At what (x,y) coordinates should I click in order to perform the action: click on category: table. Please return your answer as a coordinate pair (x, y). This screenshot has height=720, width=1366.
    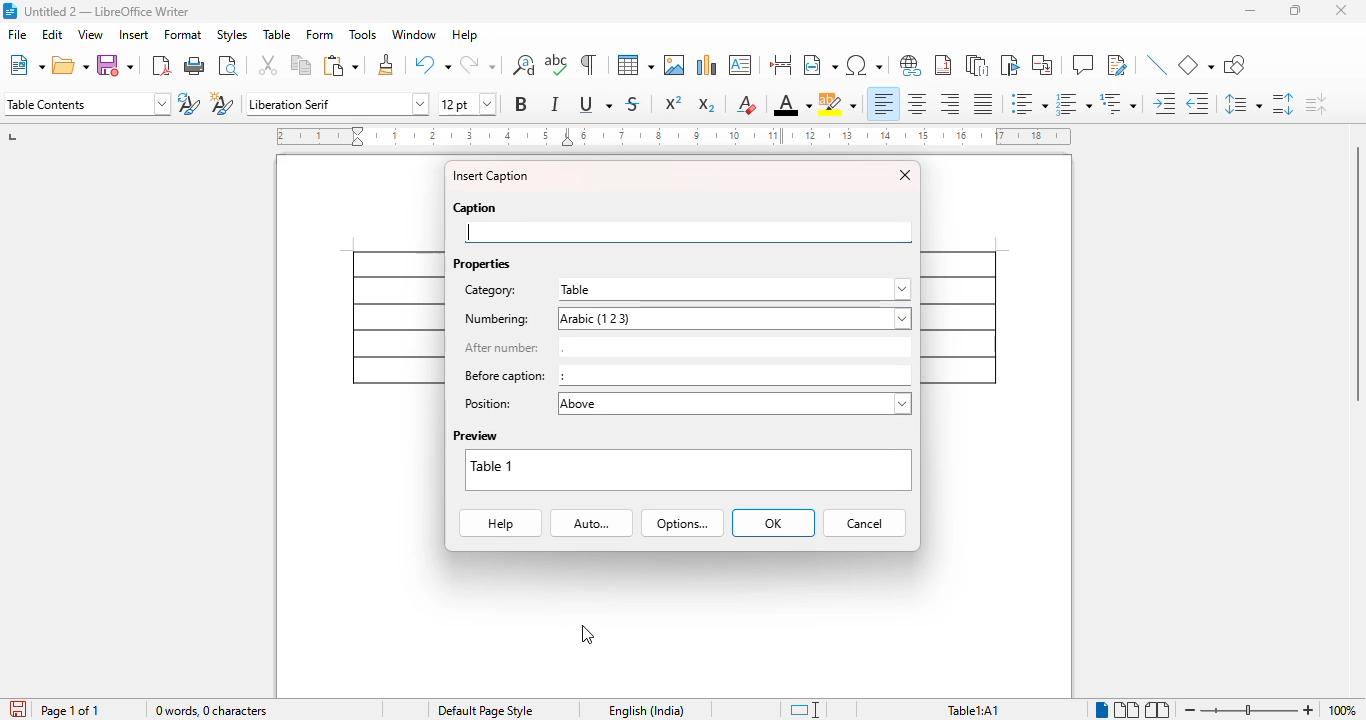
    Looking at the image, I should click on (685, 290).